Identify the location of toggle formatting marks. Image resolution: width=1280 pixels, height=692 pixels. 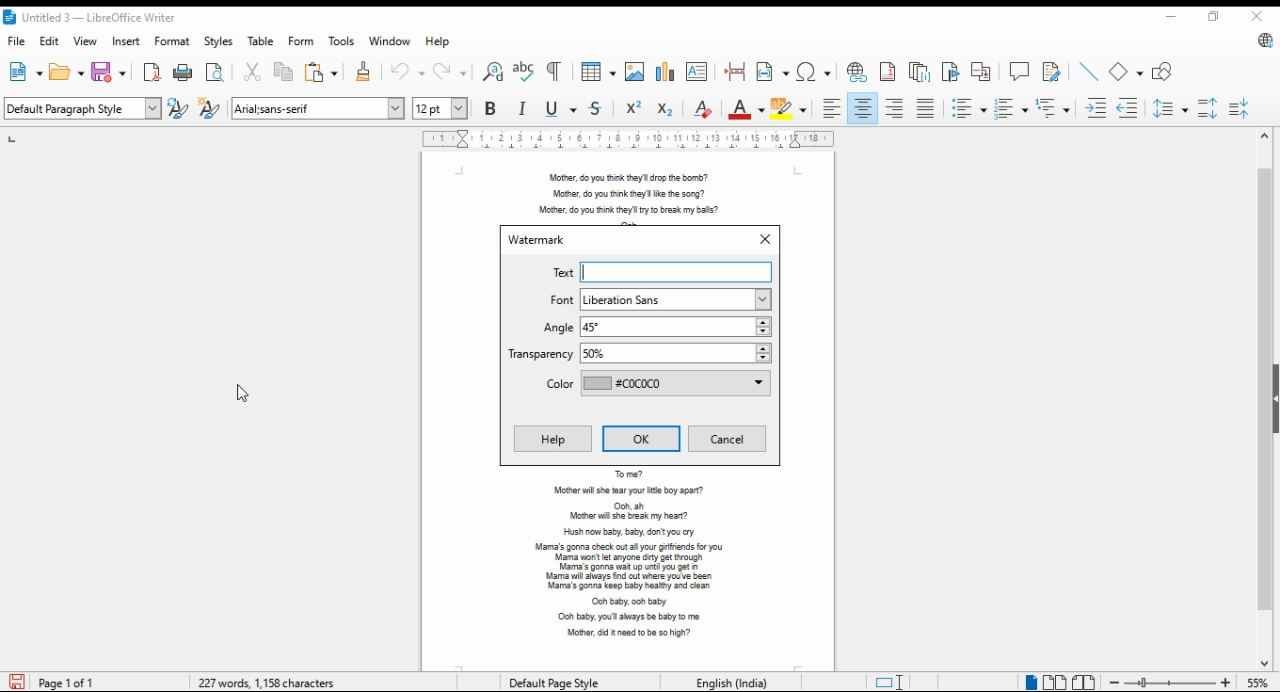
(556, 72).